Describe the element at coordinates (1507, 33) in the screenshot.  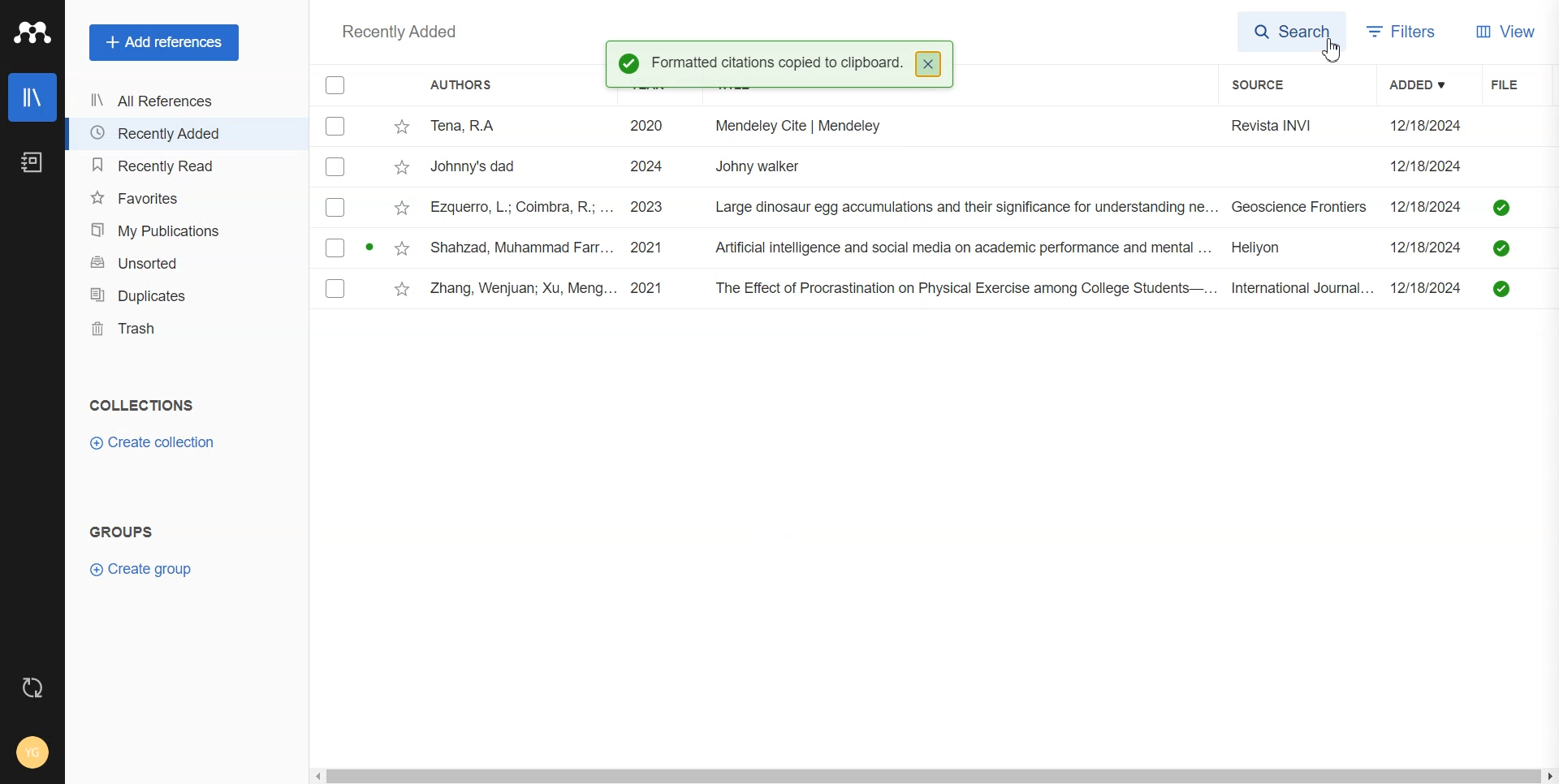
I see `View` at that location.